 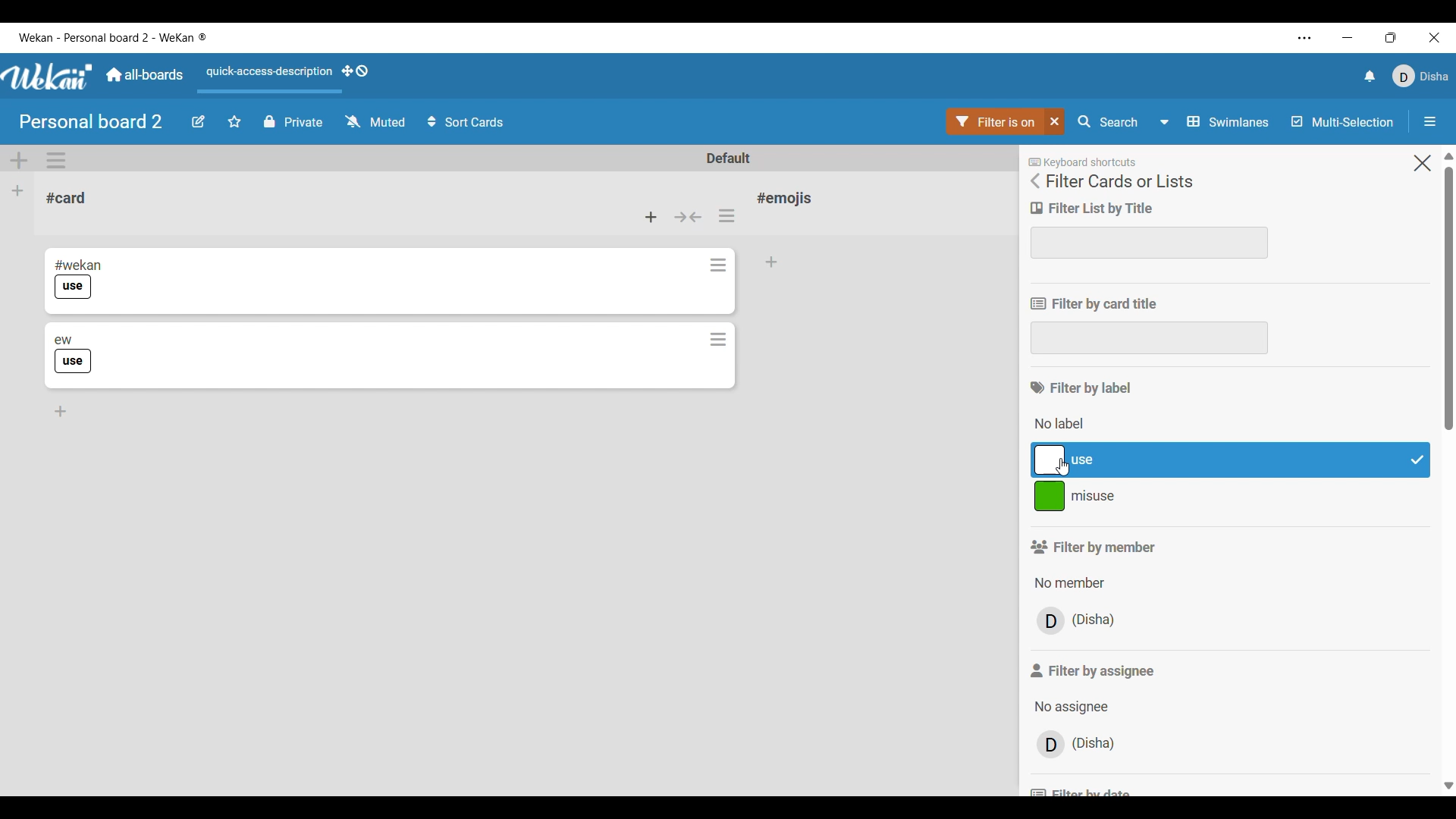 I want to click on Show interface in a smaller tab, so click(x=1391, y=37).